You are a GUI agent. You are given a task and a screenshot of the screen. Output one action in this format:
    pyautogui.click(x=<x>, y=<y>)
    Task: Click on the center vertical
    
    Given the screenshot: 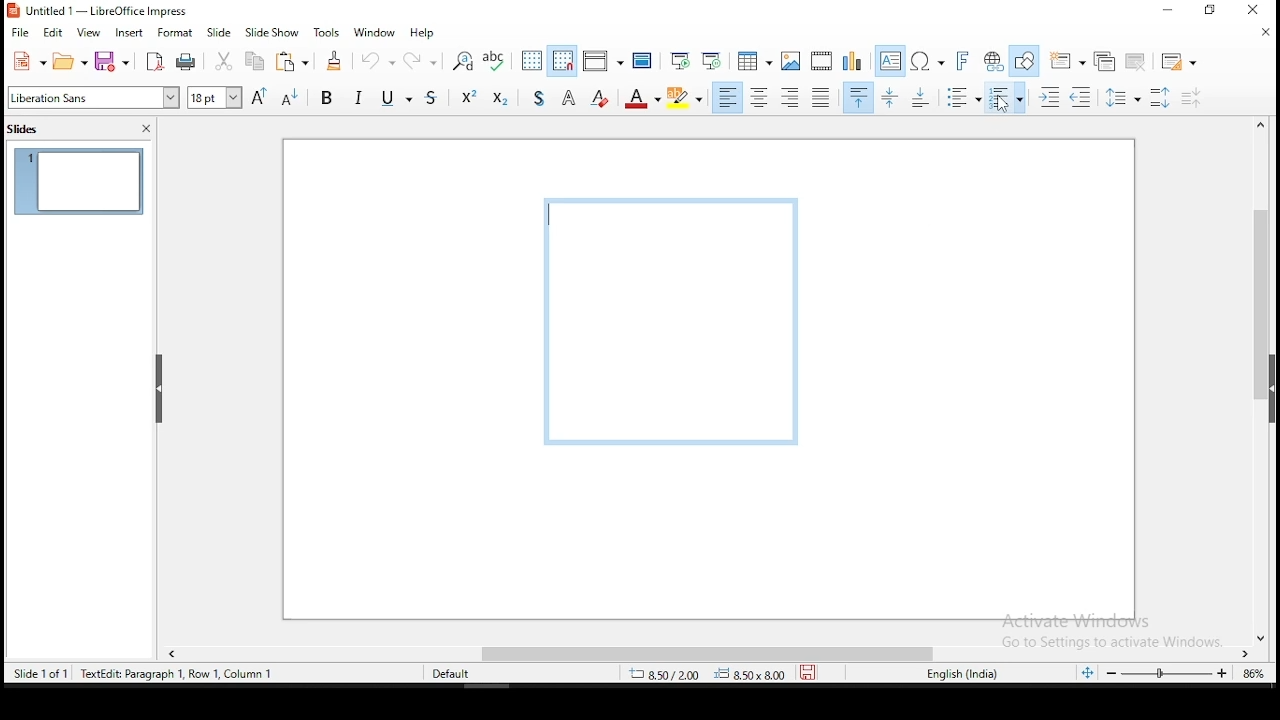 What is the action you would take?
    pyautogui.click(x=892, y=99)
    